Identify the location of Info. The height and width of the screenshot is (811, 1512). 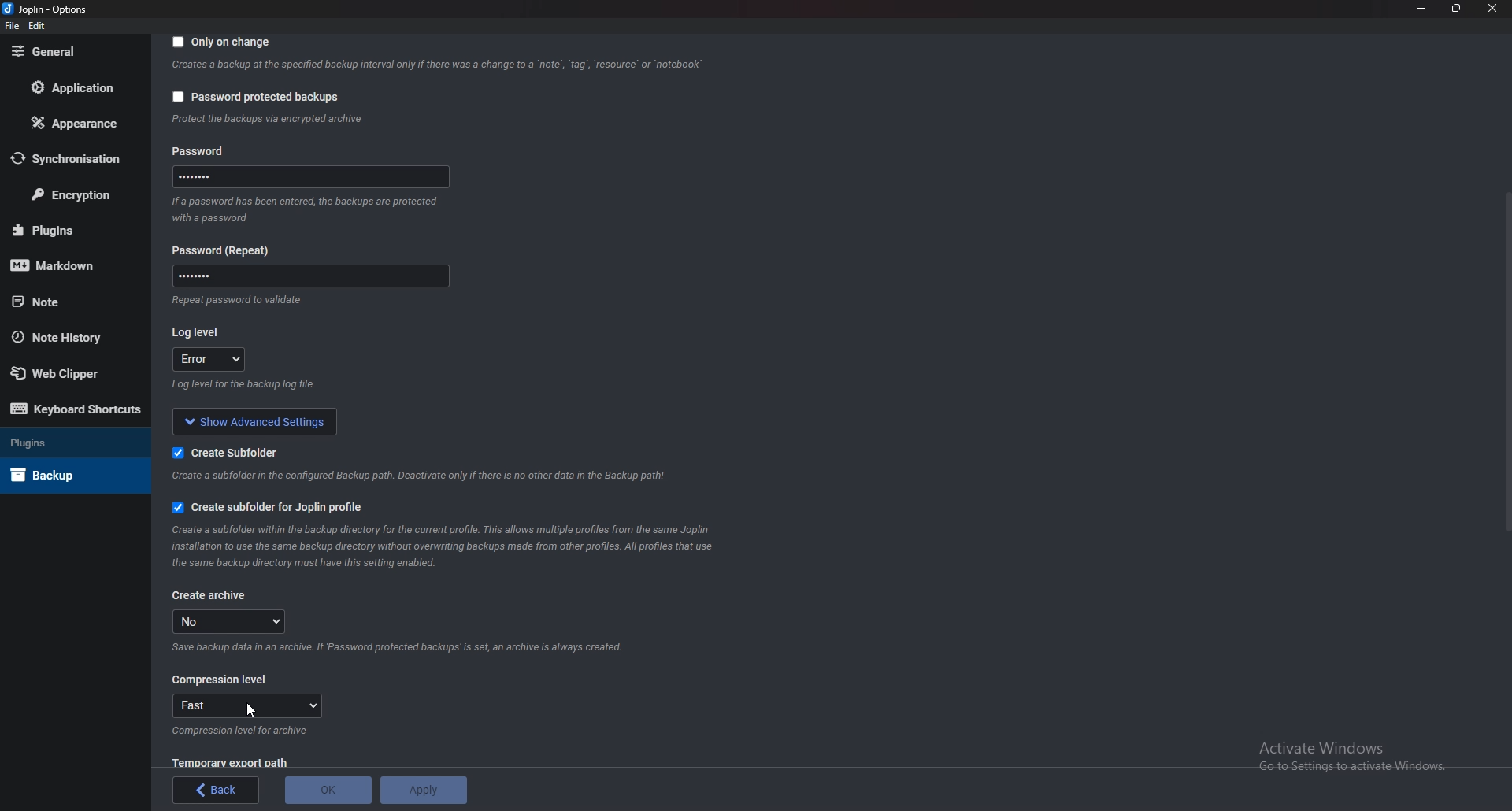
(436, 67).